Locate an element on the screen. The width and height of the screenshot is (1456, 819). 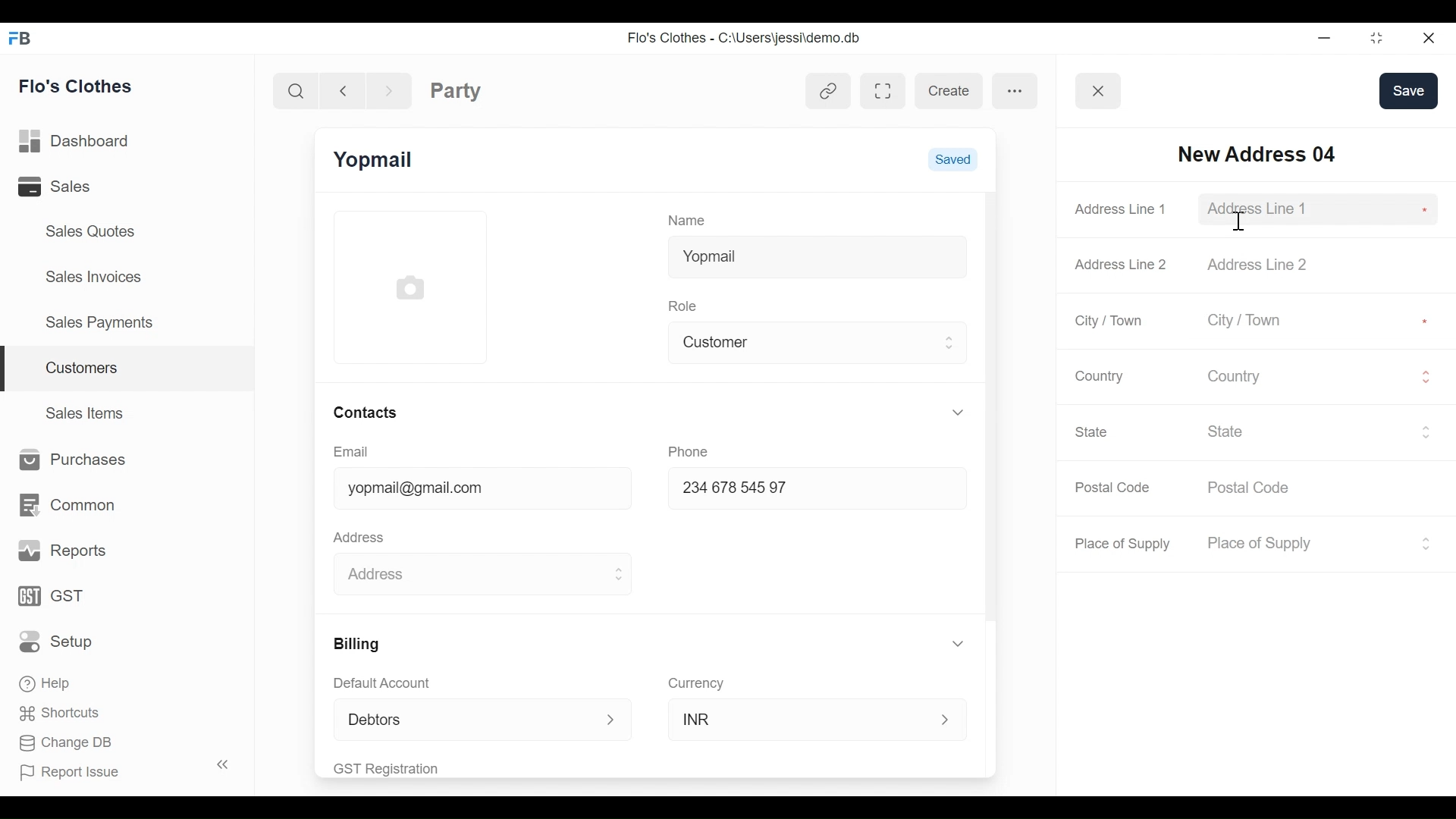
Name is located at coordinates (690, 219).